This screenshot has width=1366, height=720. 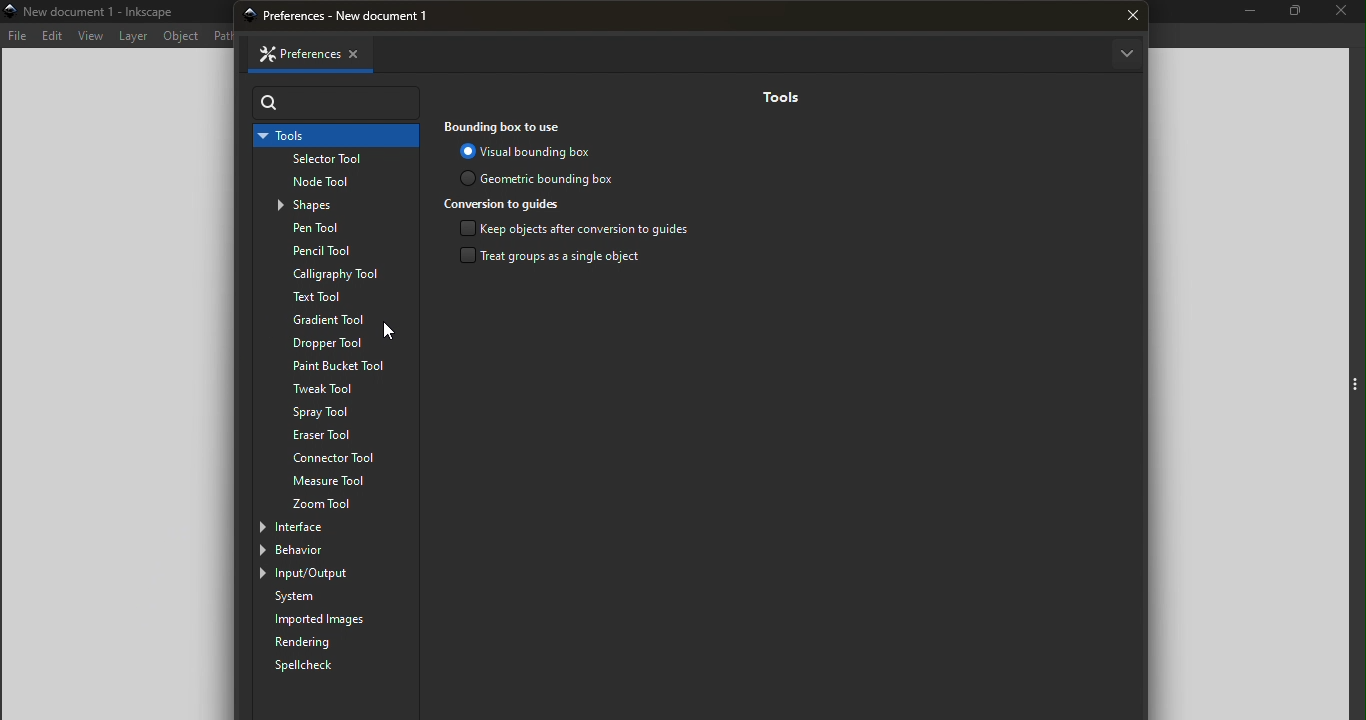 I want to click on Eraser tool, so click(x=336, y=435).